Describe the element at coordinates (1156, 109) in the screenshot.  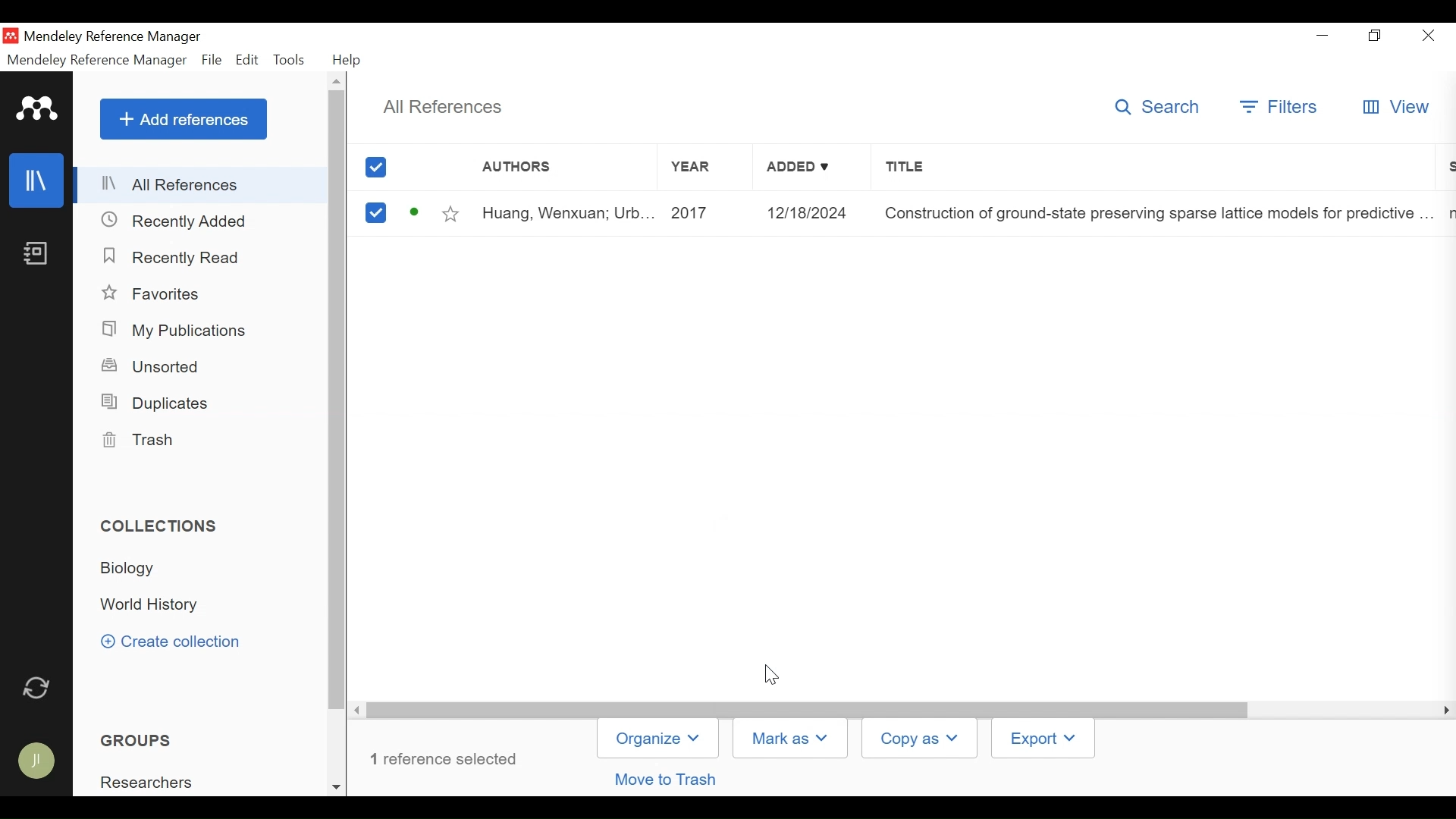
I see `Search` at that location.